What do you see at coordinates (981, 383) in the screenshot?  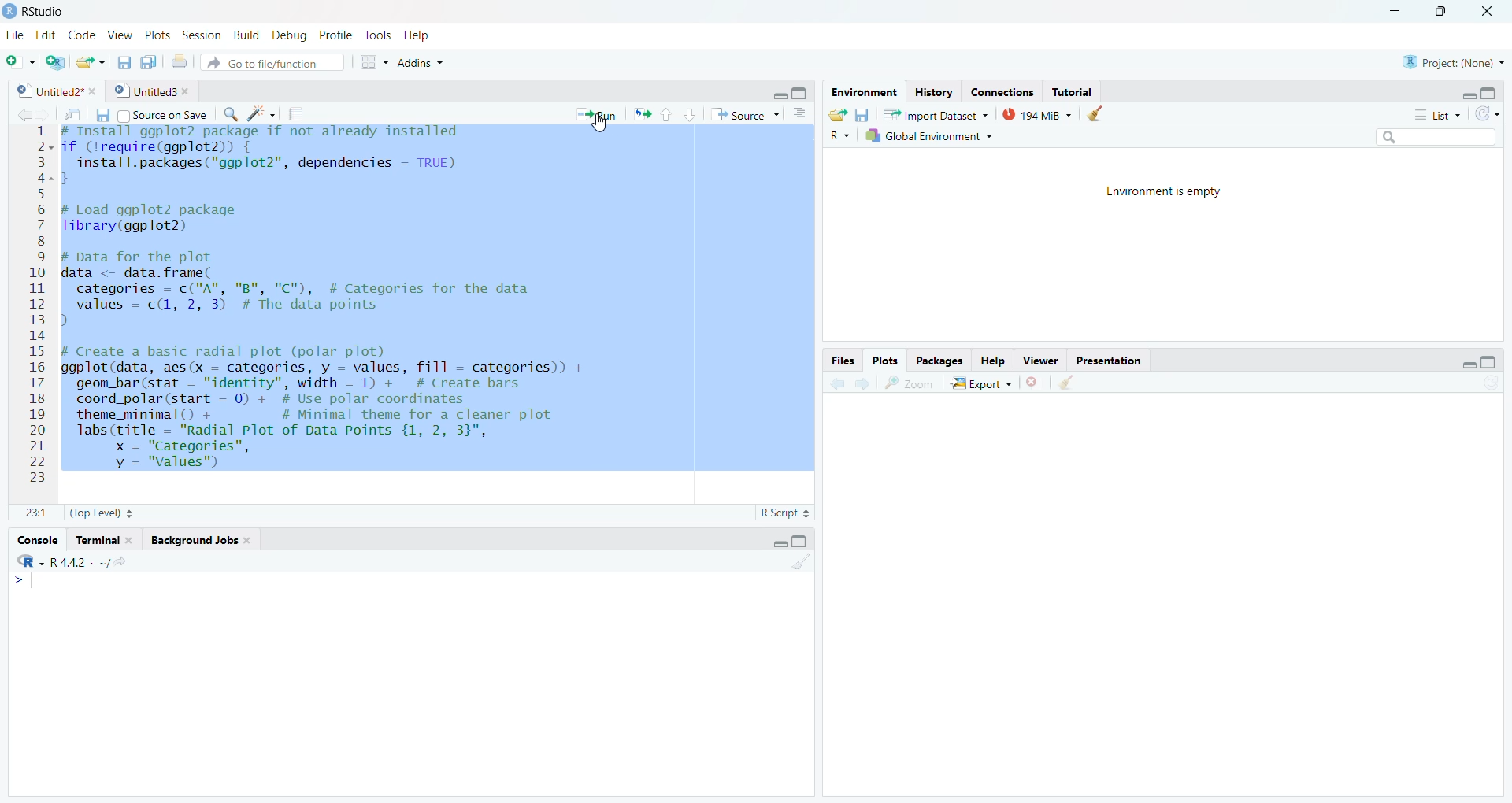 I see `Export ` at bounding box center [981, 383].